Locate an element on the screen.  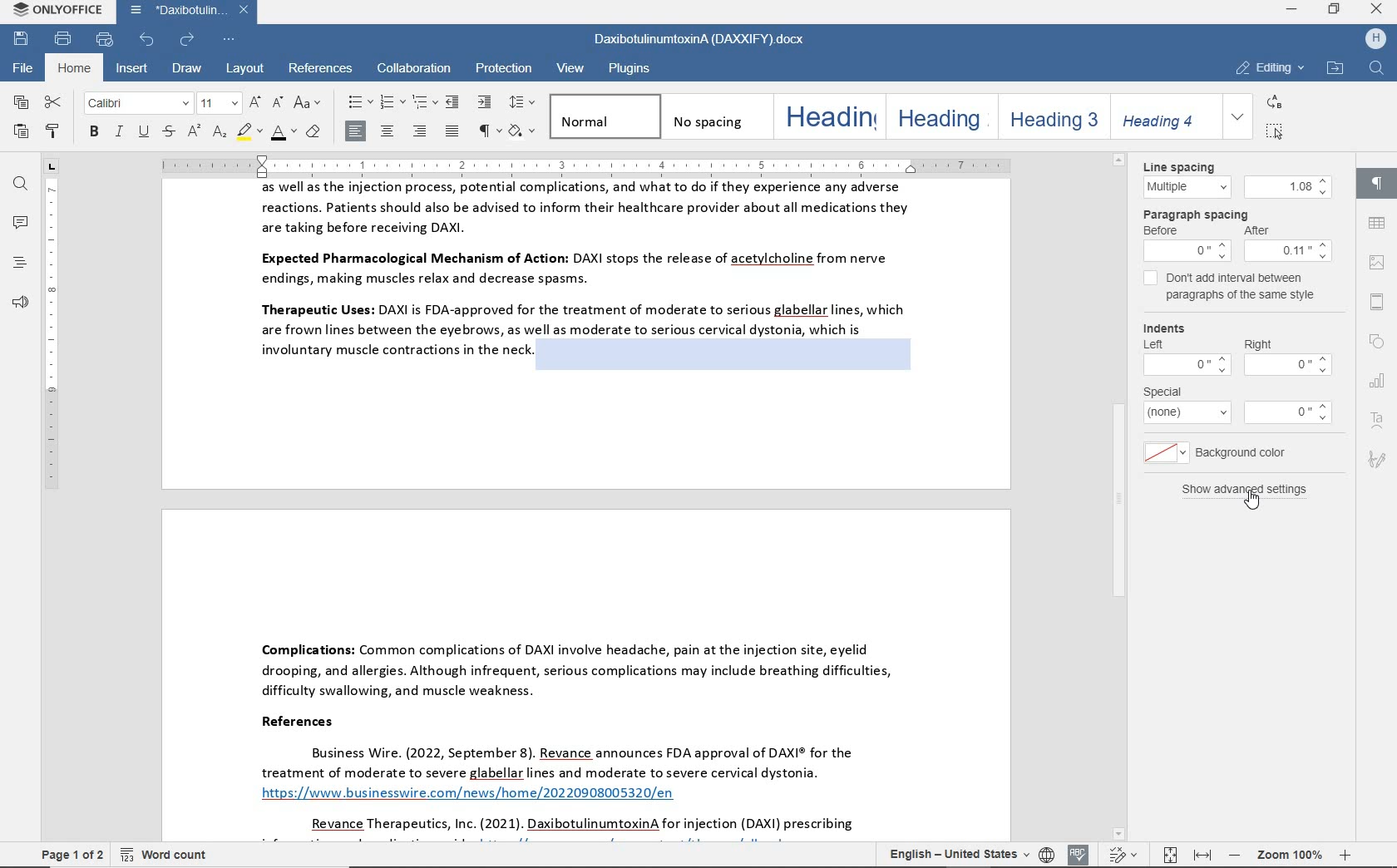
zoom out or zoom in is located at coordinates (1289, 855).